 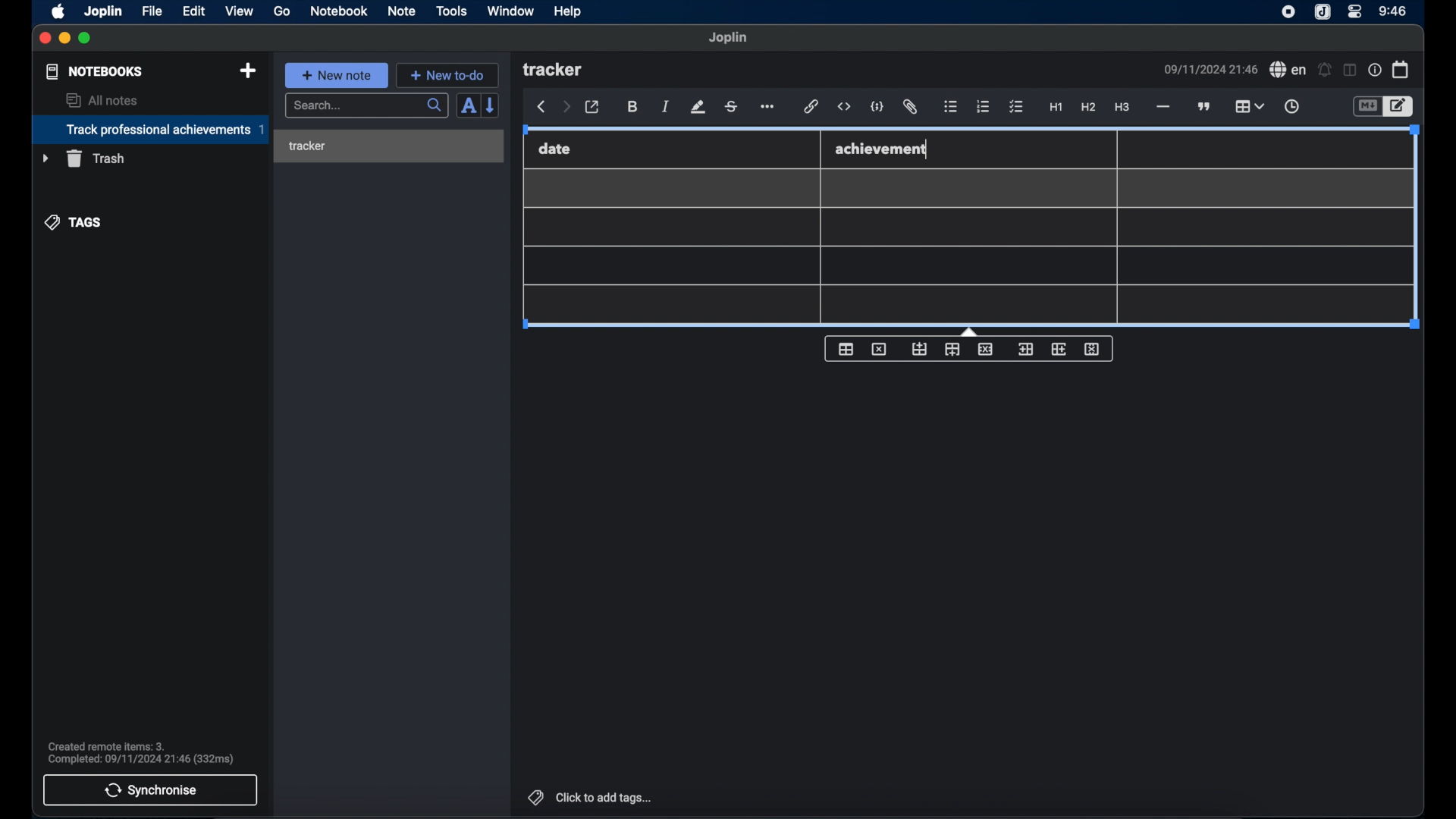 What do you see at coordinates (195, 11) in the screenshot?
I see `edit` at bounding box center [195, 11].